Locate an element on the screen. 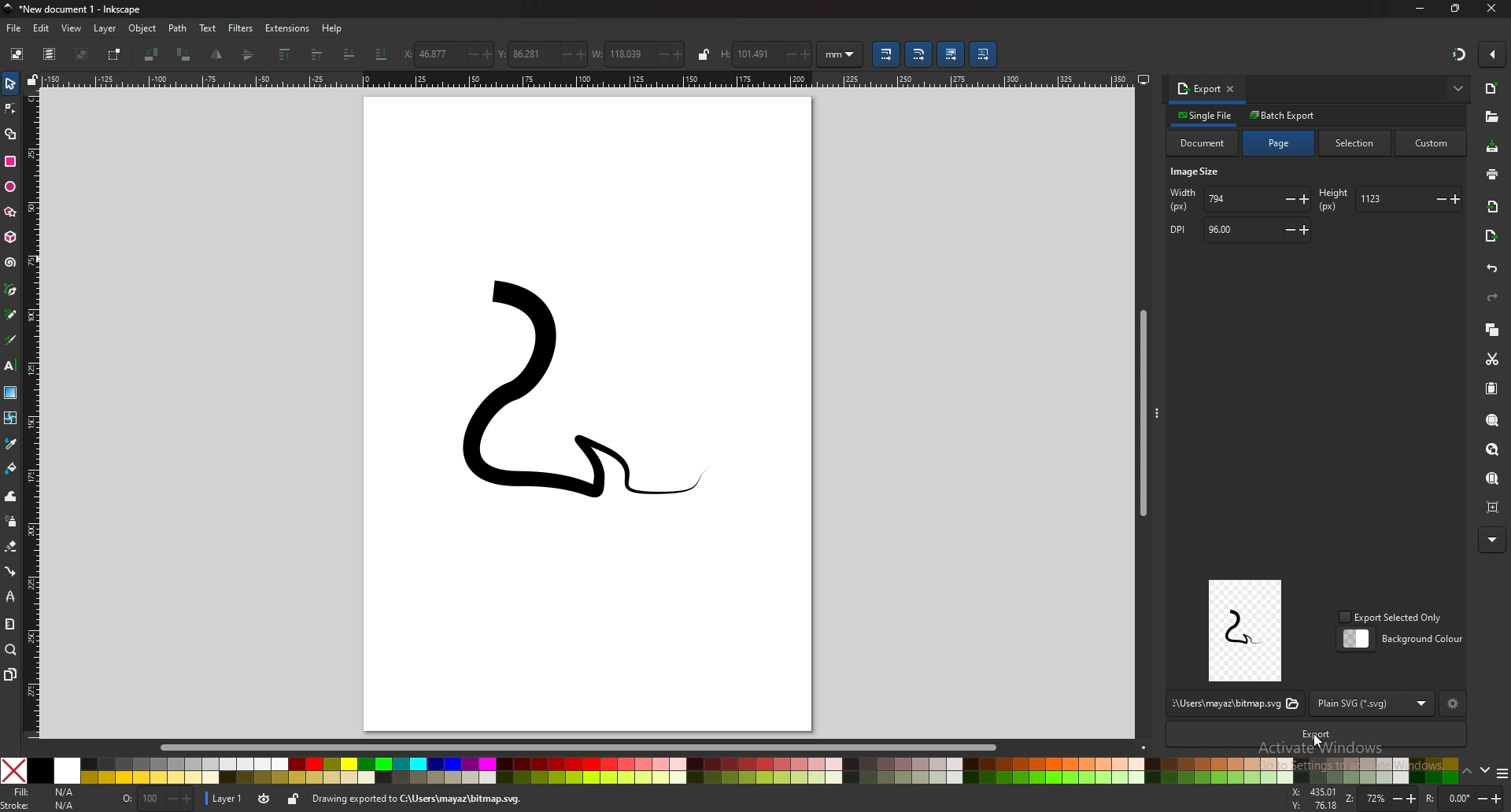 The image size is (1511, 812). page is located at coordinates (1280, 143).